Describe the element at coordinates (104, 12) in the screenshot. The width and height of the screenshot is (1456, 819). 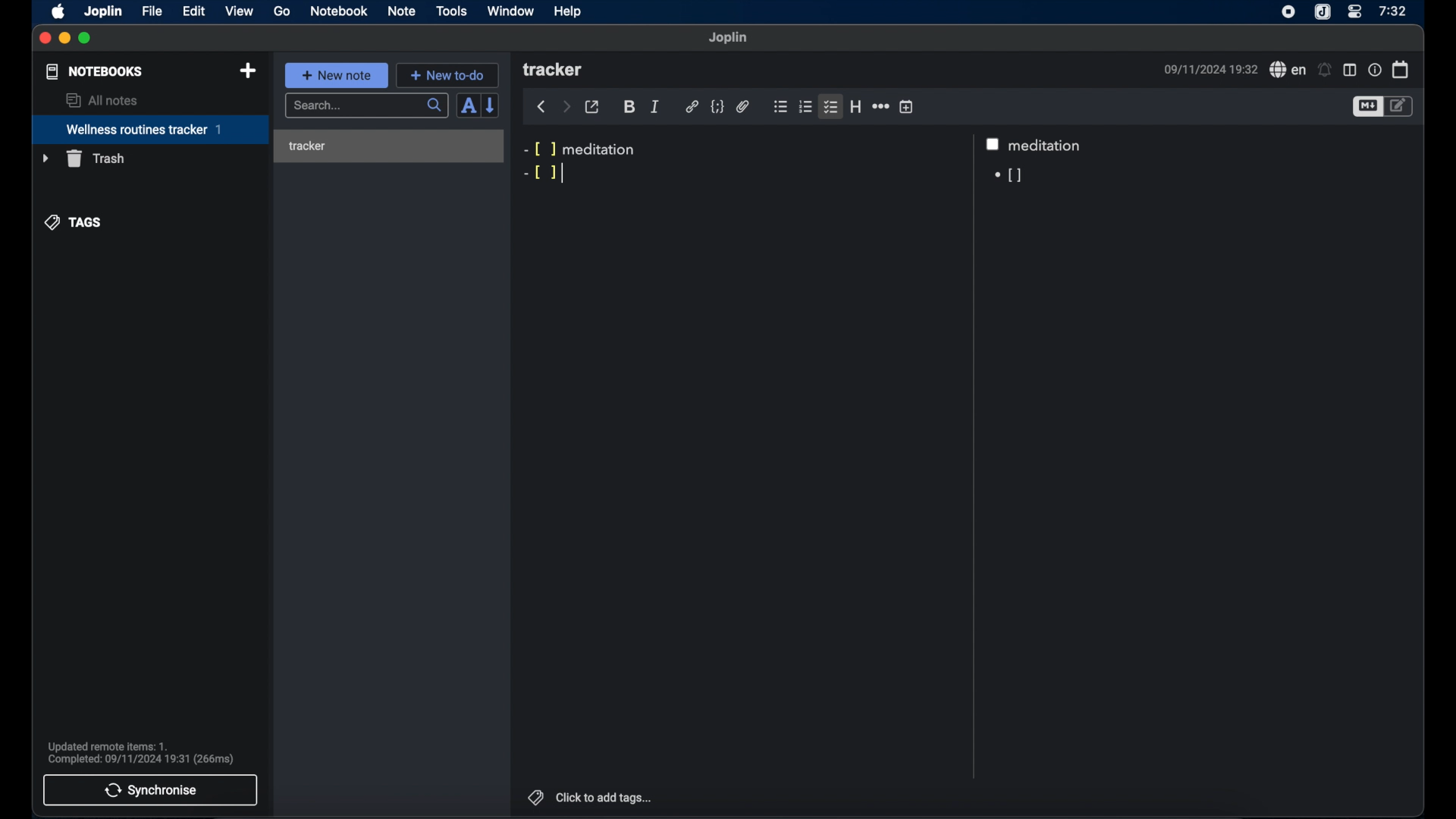
I see `joplin` at that location.